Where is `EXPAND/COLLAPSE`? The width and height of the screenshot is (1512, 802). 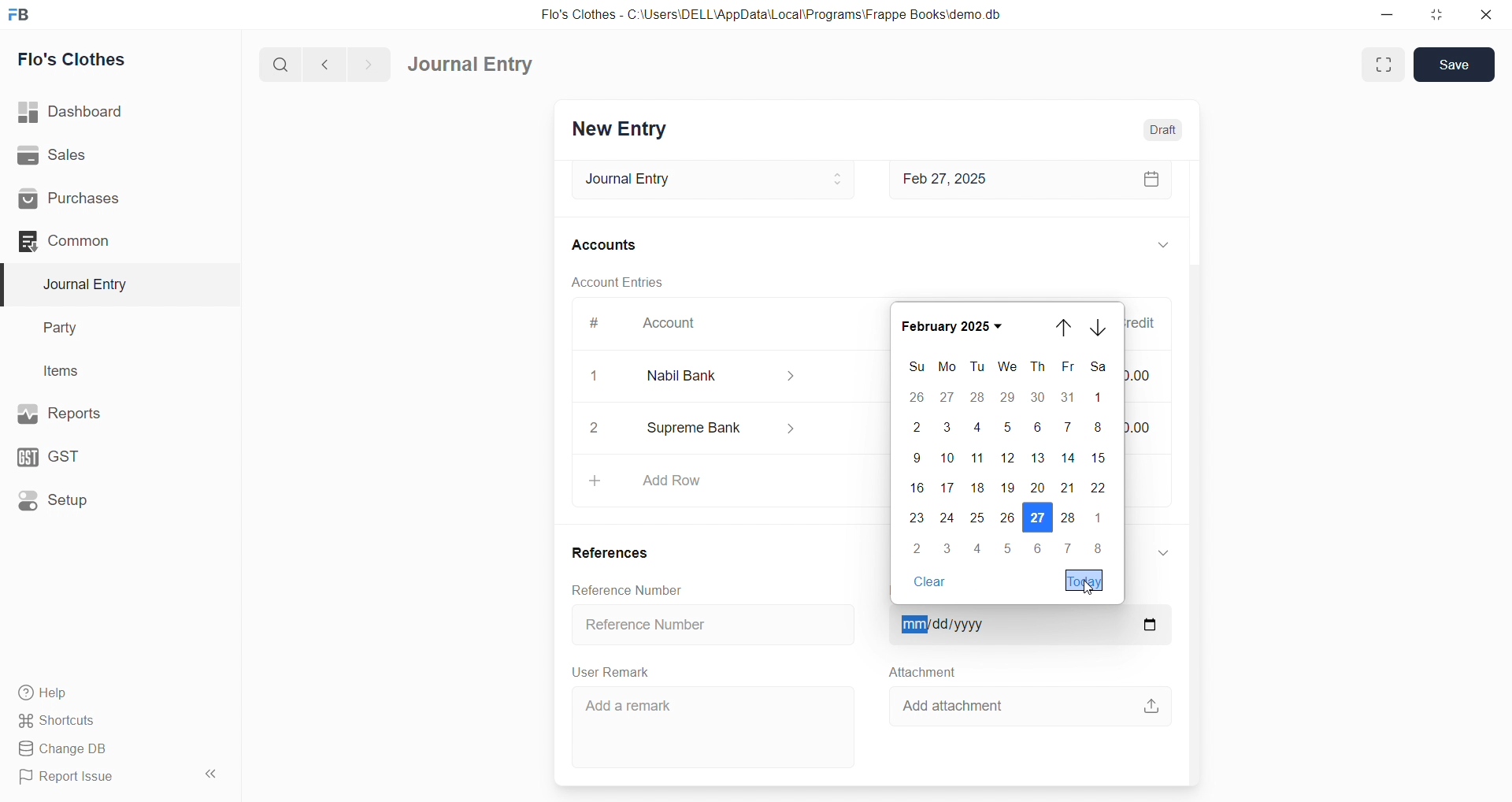 EXPAND/COLLAPSE is located at coordinates (1164, 553).